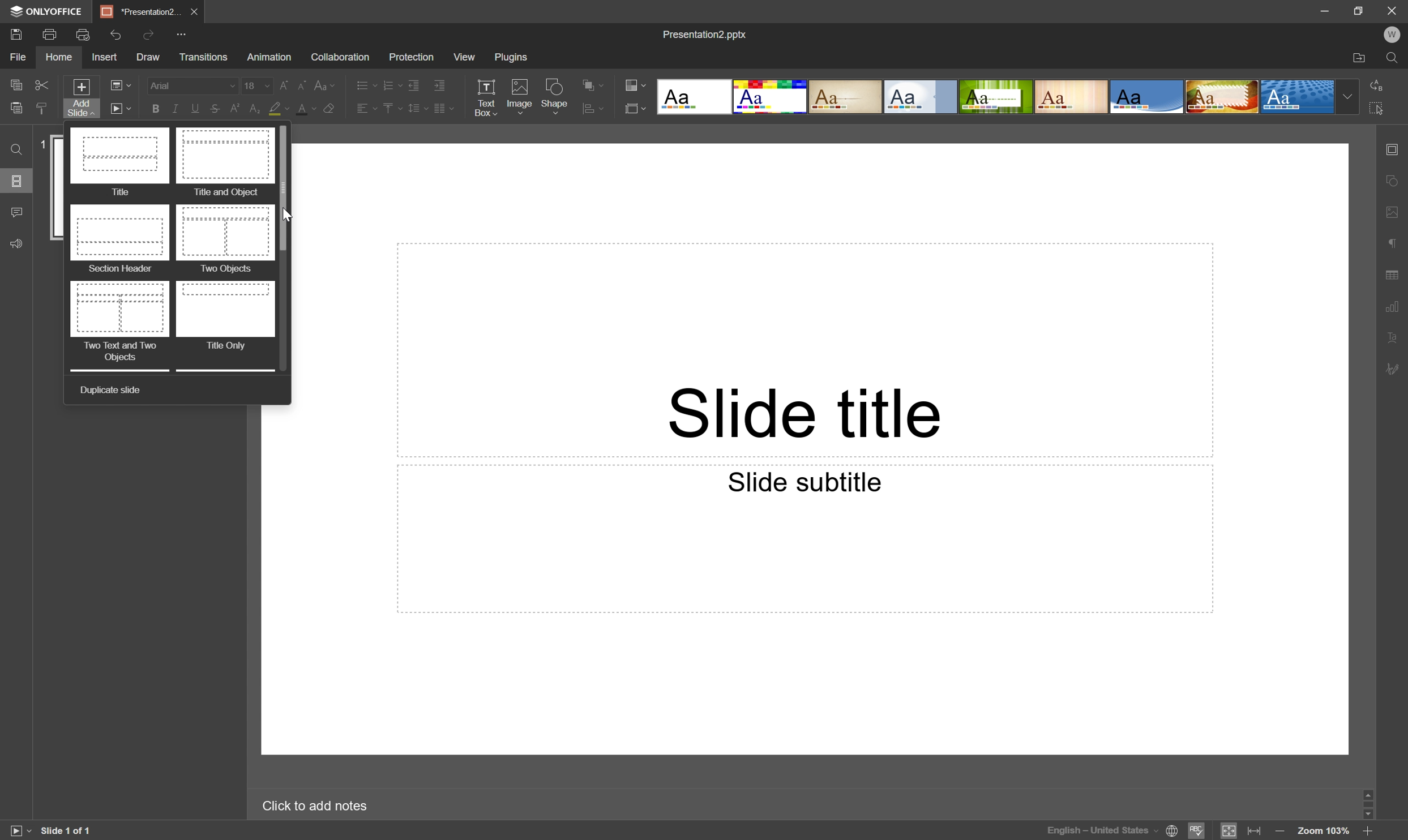 The width and height of the screenshot is (1408, 840). What do you see at coordinates (173, 110) in the screenshot?
I see `Italic` at bounding box center [173, 110].